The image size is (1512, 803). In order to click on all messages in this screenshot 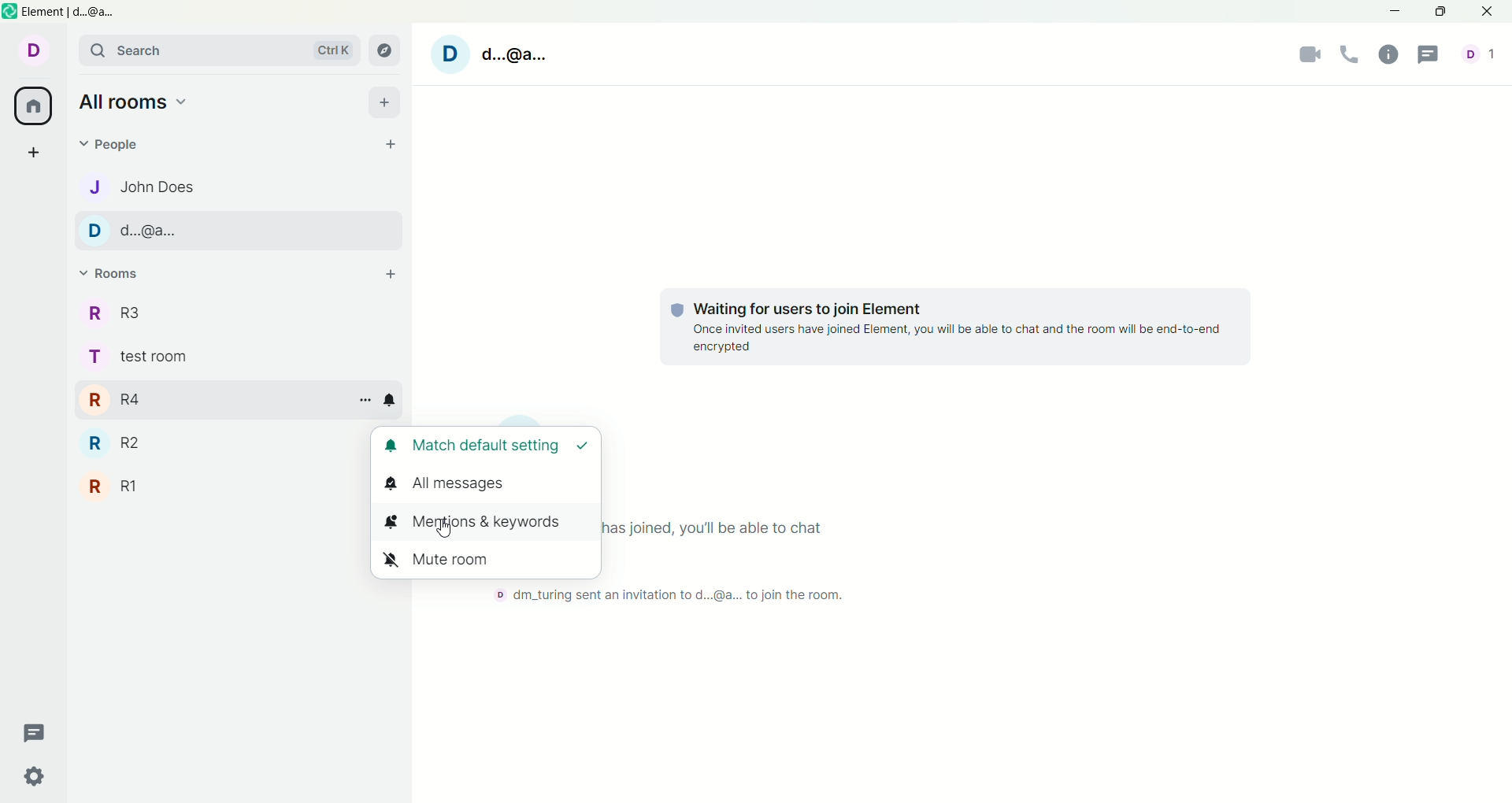, I will do `click(487, 484)`.